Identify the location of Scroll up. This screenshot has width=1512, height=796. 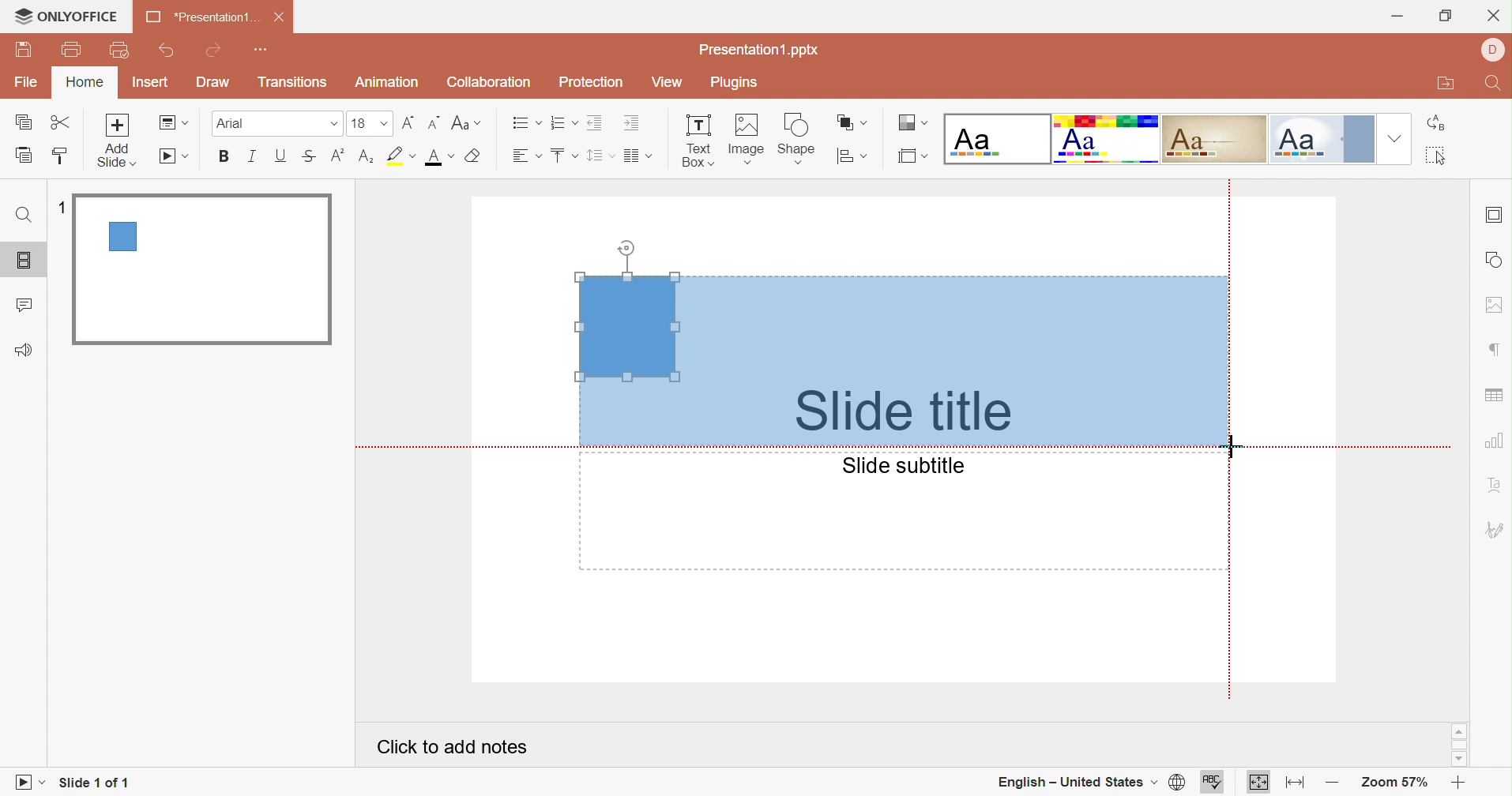
(1457, 730).